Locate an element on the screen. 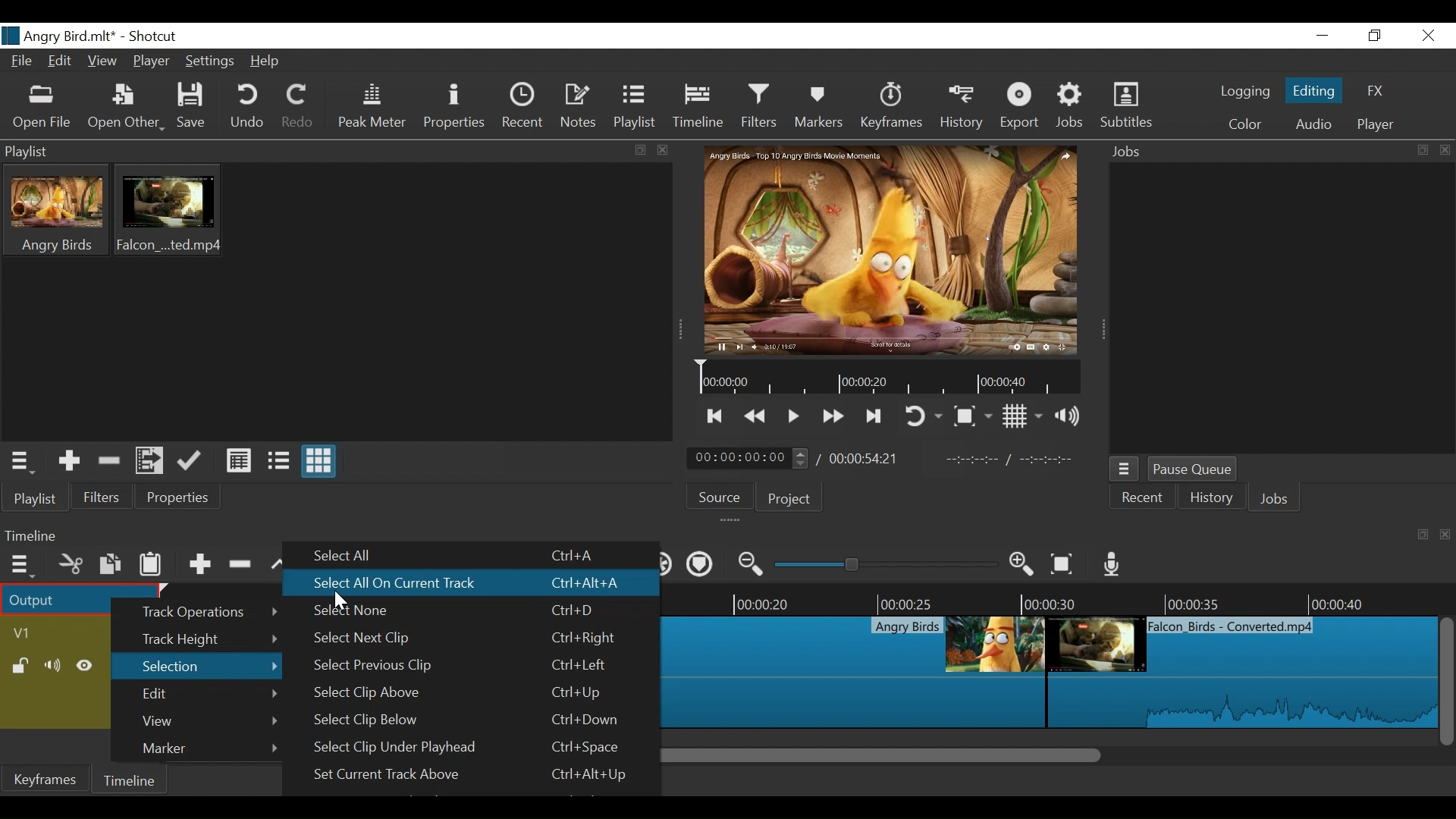  Toggle zoo is located at coordinates (973, 416).